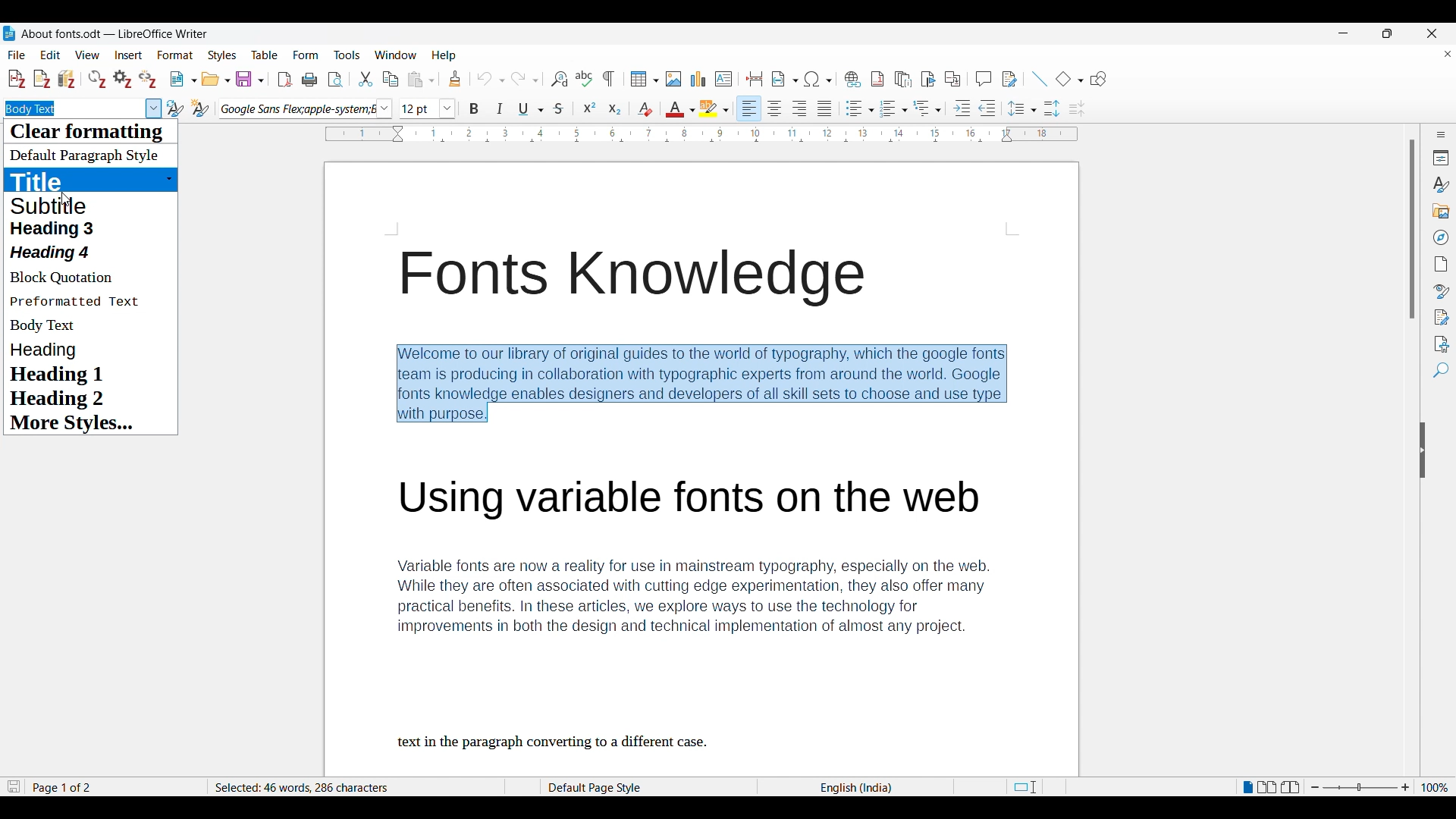 The width and height of the screenshot is (1456, 819). I want to click on Redo, so click(525, 79).